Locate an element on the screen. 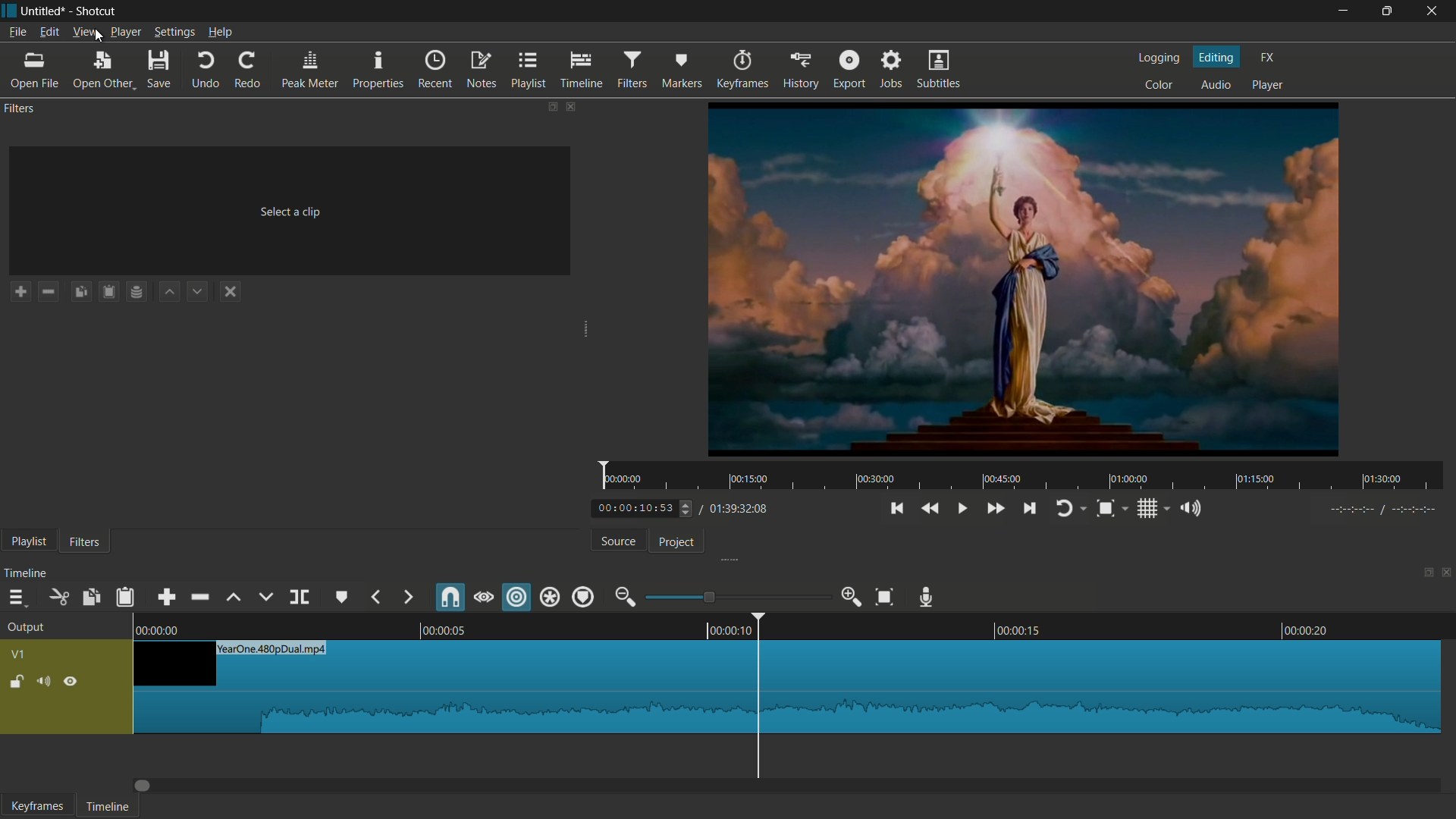 This screenshot has height=819, width=1456. close app is located at coordinates (1435, 11).